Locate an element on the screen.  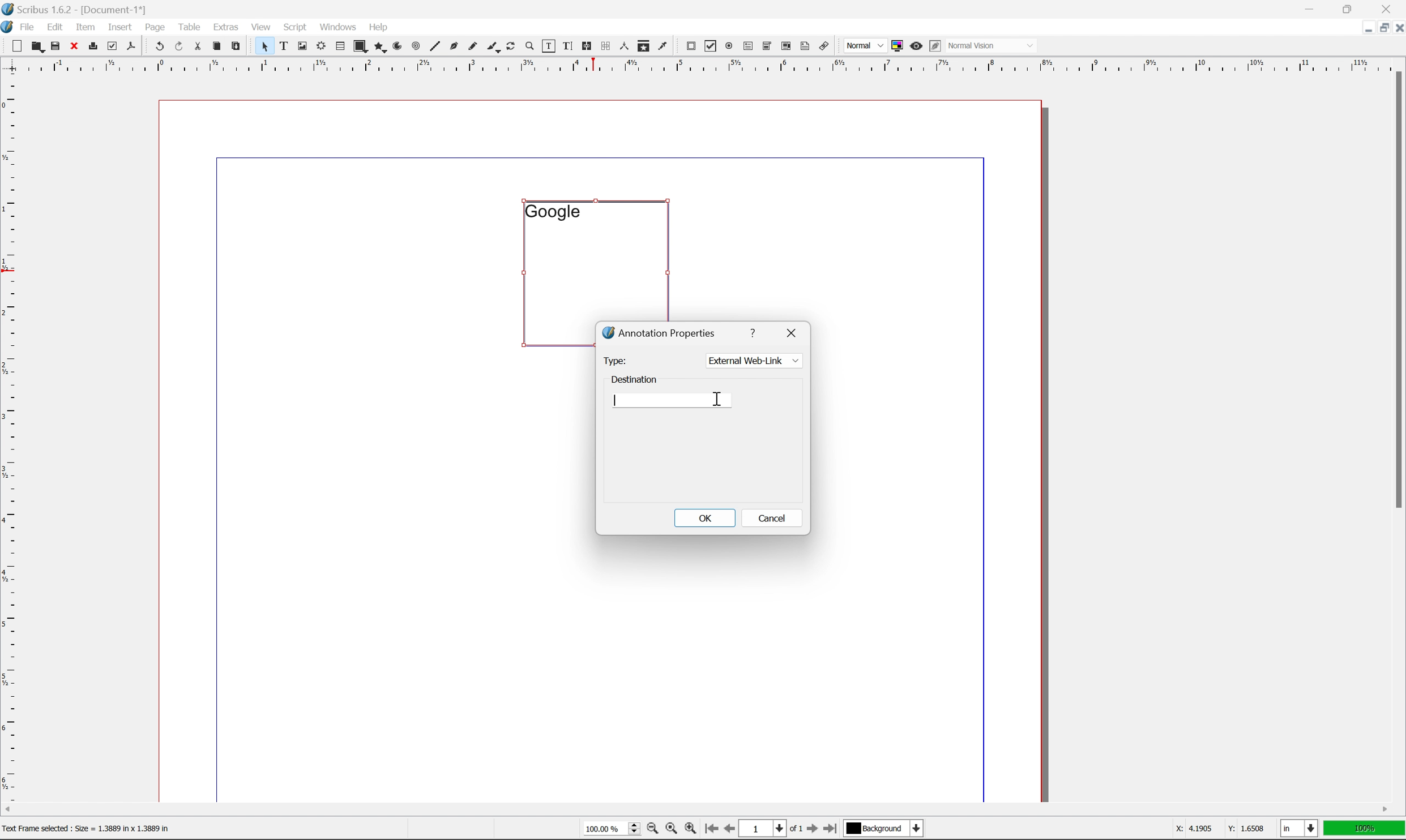
zoom in or zoom out is located at coordinates (531, 47).